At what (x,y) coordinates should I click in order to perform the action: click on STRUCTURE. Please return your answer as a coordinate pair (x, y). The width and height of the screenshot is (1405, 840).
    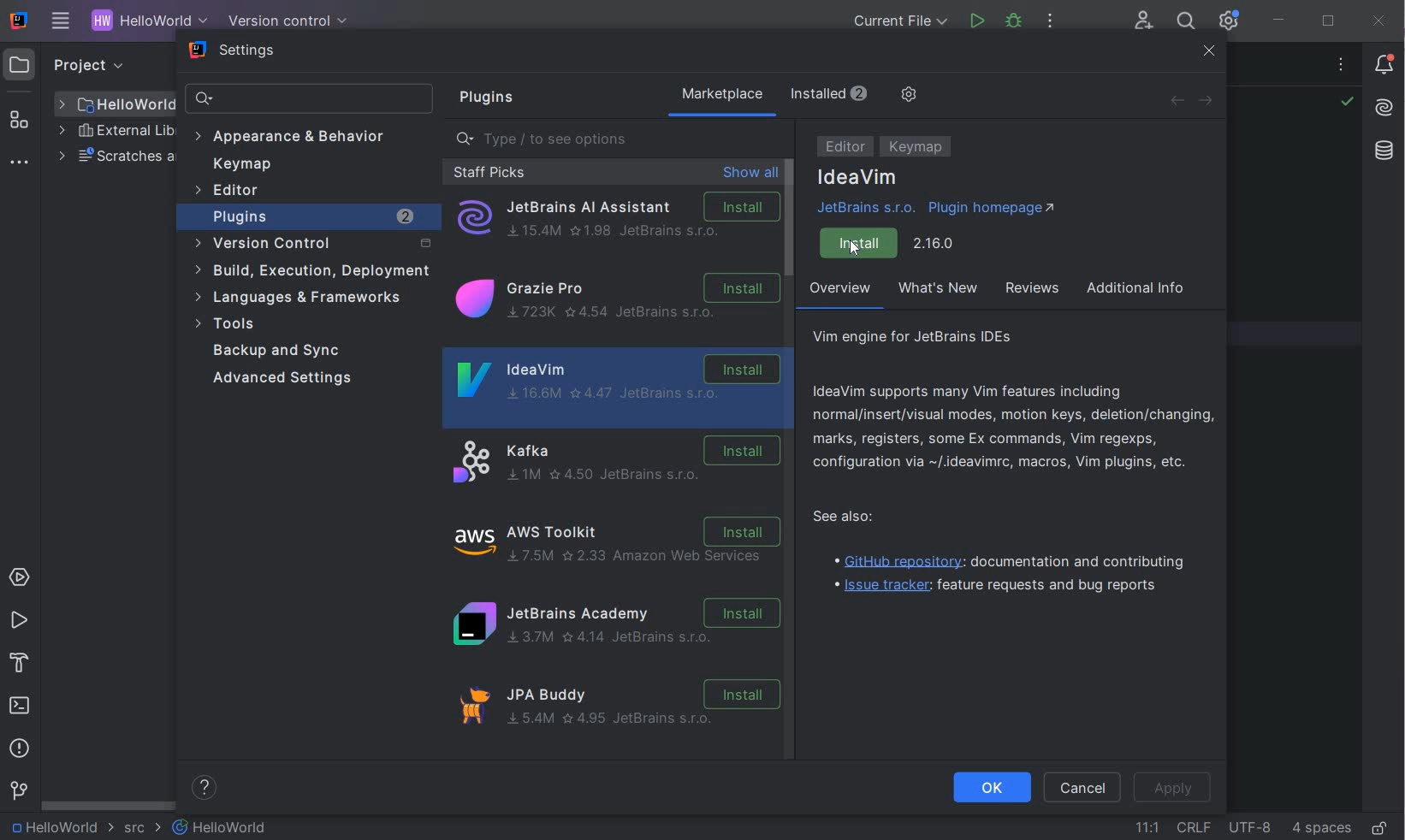
    Looking at the image, I should click on (21, 120).